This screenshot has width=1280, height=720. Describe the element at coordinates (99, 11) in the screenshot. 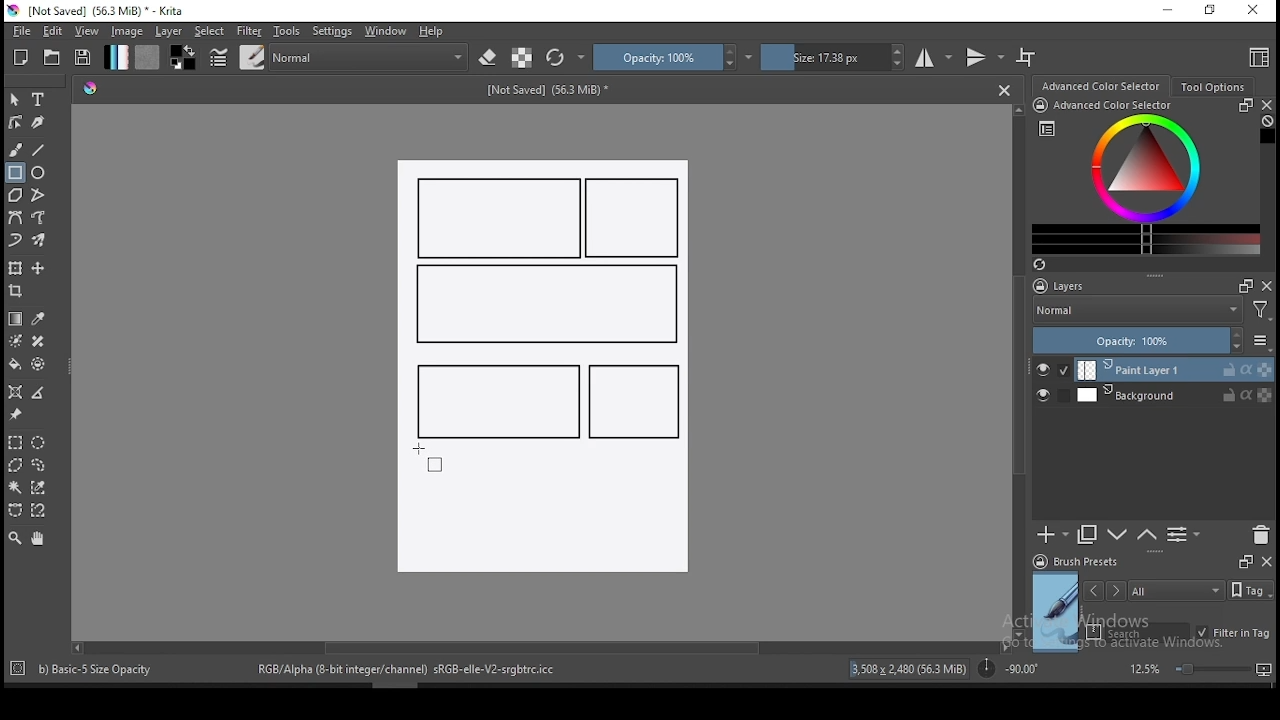

I see `icon and file name` at that location.